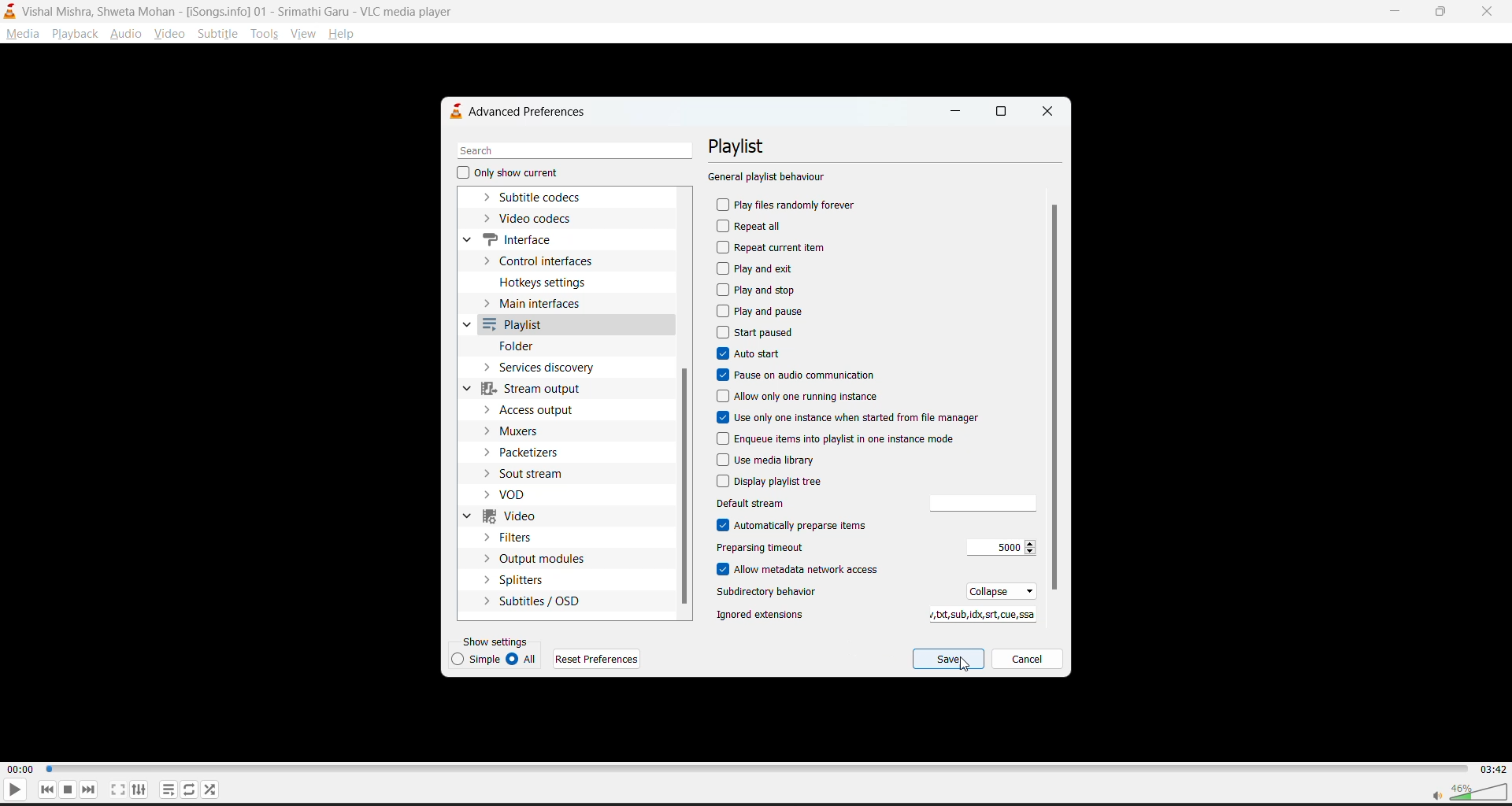 The height and width of the screenshot is (806, 1512). What do you see at coordinates (515, 495) in the screenshot?
I see `vod` at bounding box center [515, 495].